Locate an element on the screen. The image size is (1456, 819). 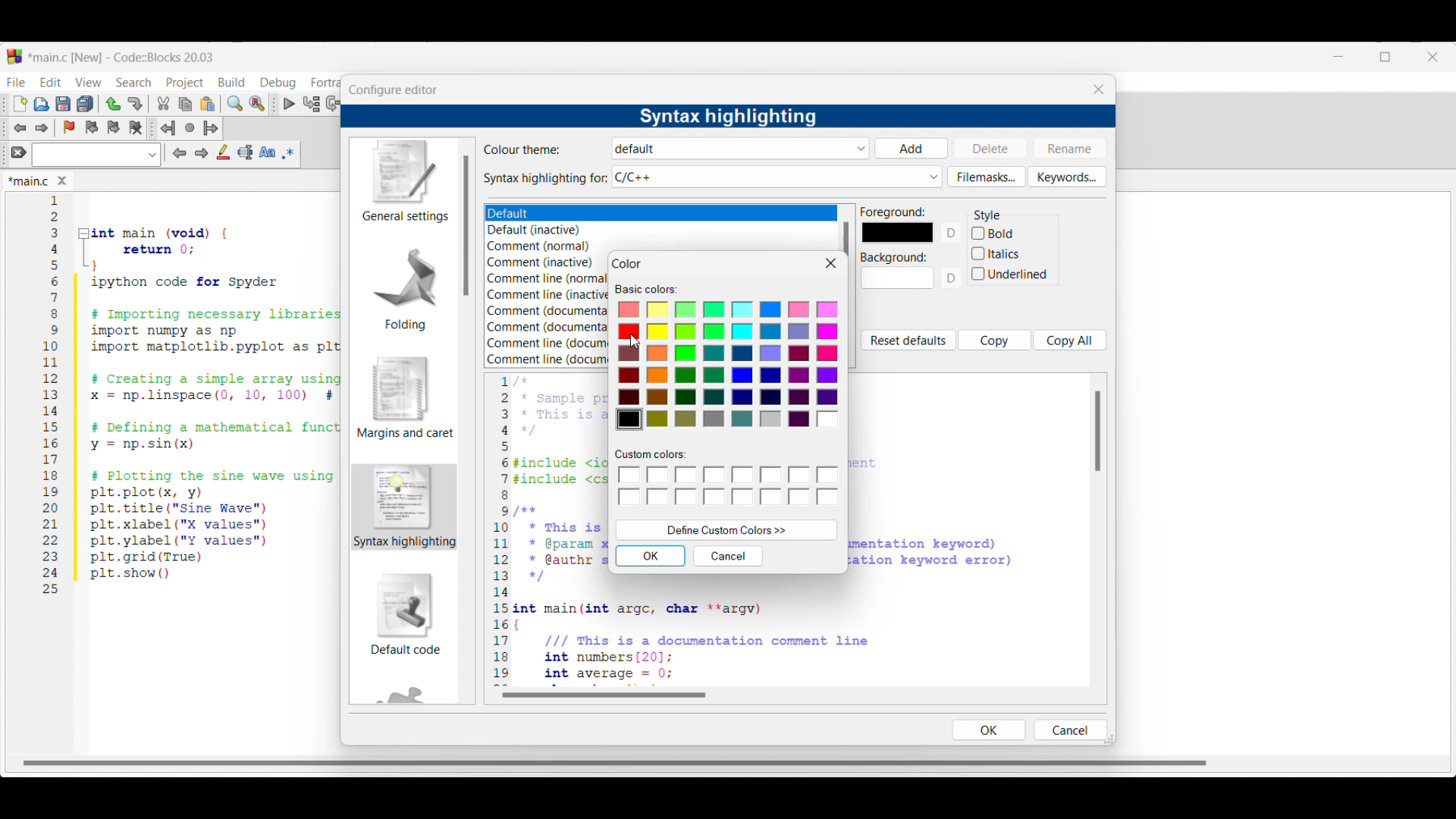
File menu is located at coordinates (16, 82).